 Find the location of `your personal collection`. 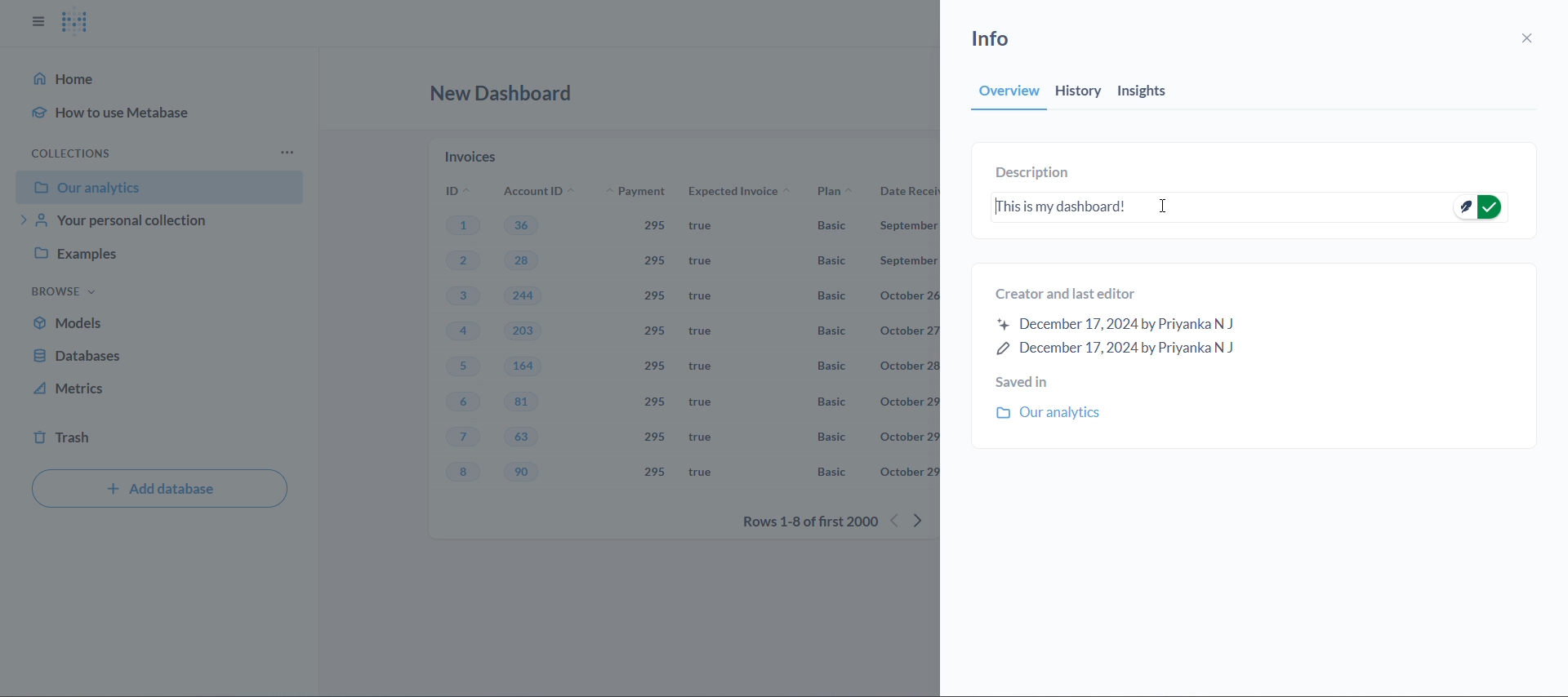

your personal collection is located at coordinates (158, 223).